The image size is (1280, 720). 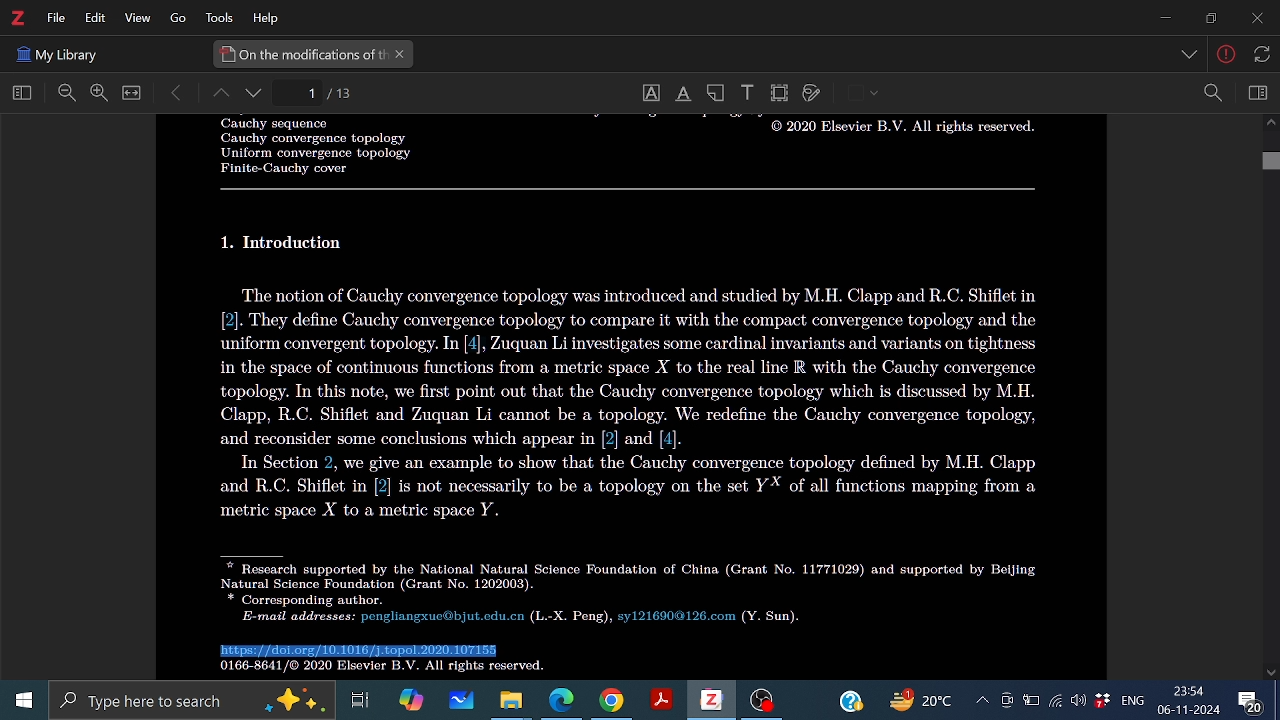 What do you see at coordinates (1270, 125) in the screenshot?
I see `Move up` at bounding box center [1270, 125].